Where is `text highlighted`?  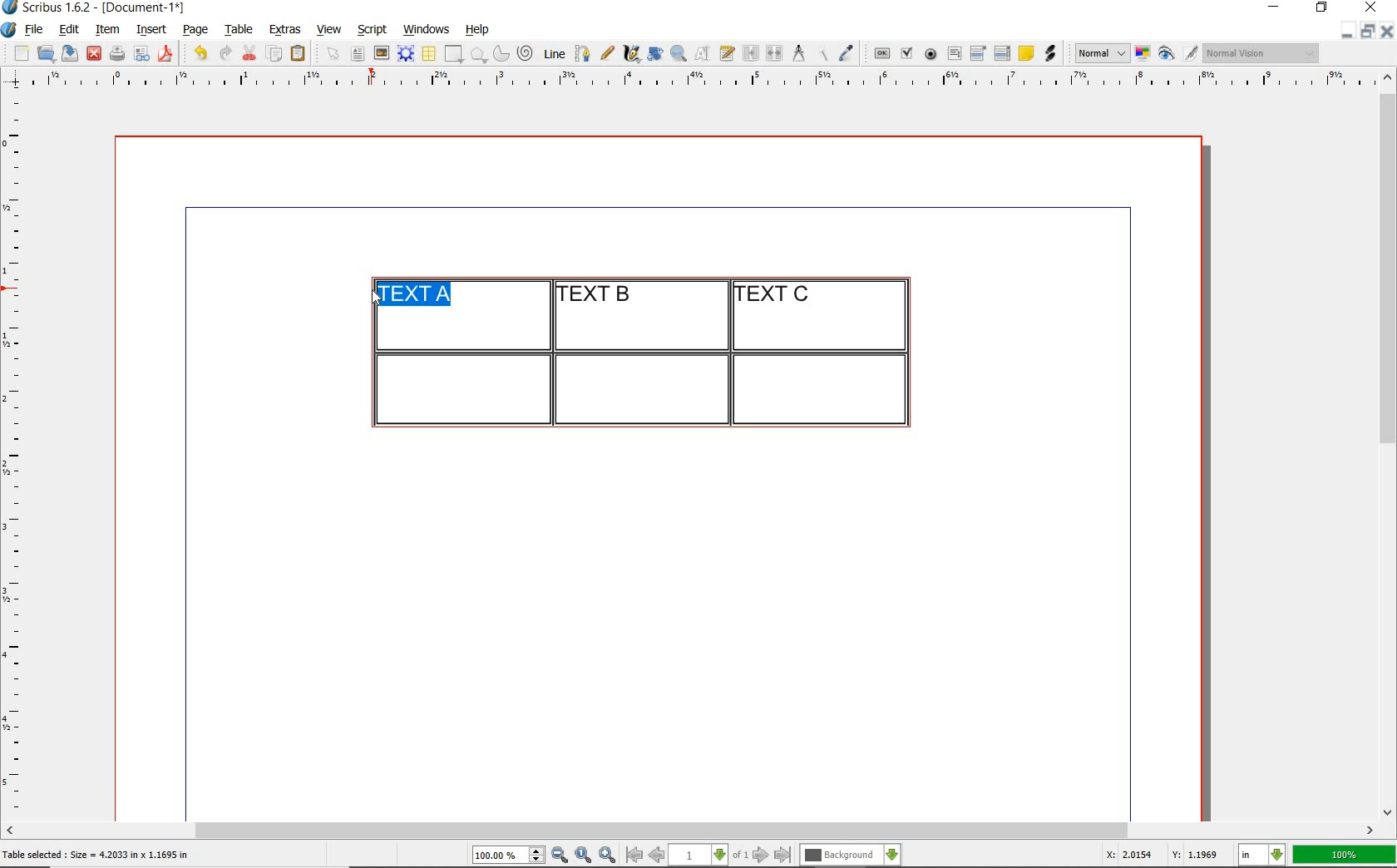
text highlighted is located at coordinates (415, 296).